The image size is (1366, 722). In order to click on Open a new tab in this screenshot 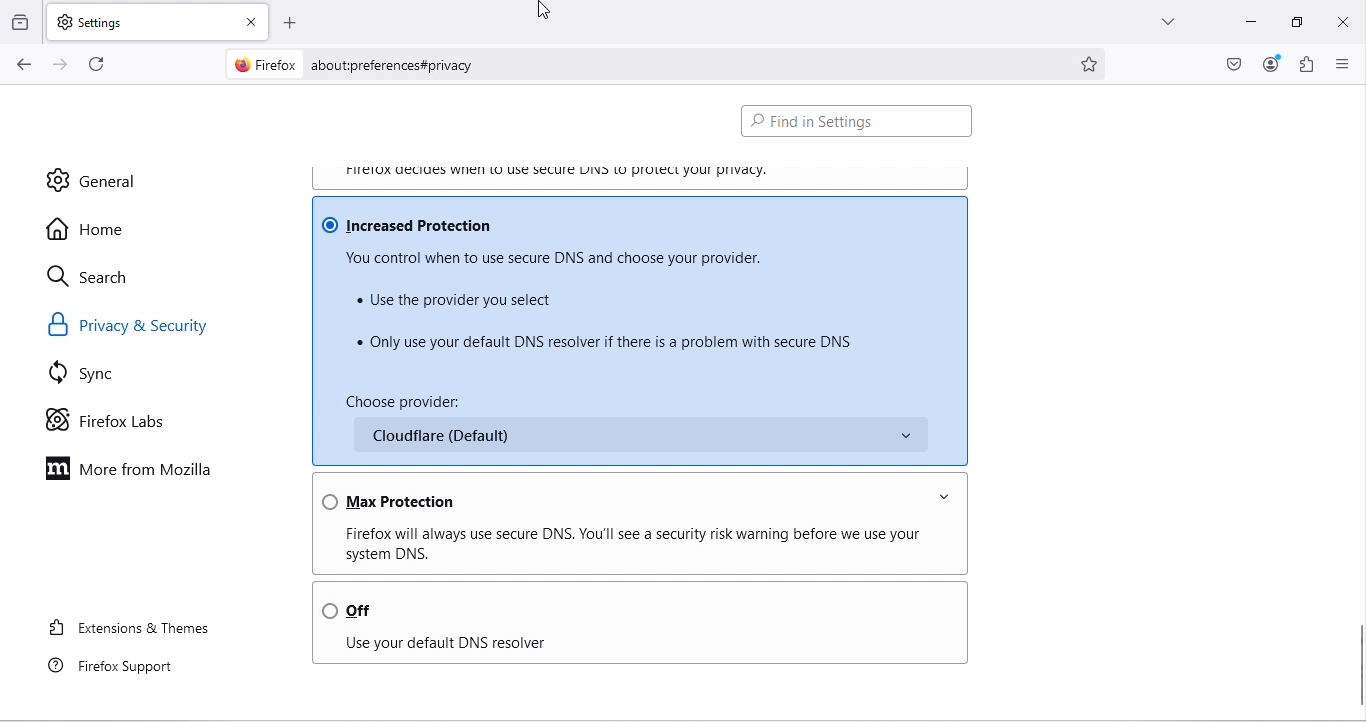, I will do `click(287, 19)`.